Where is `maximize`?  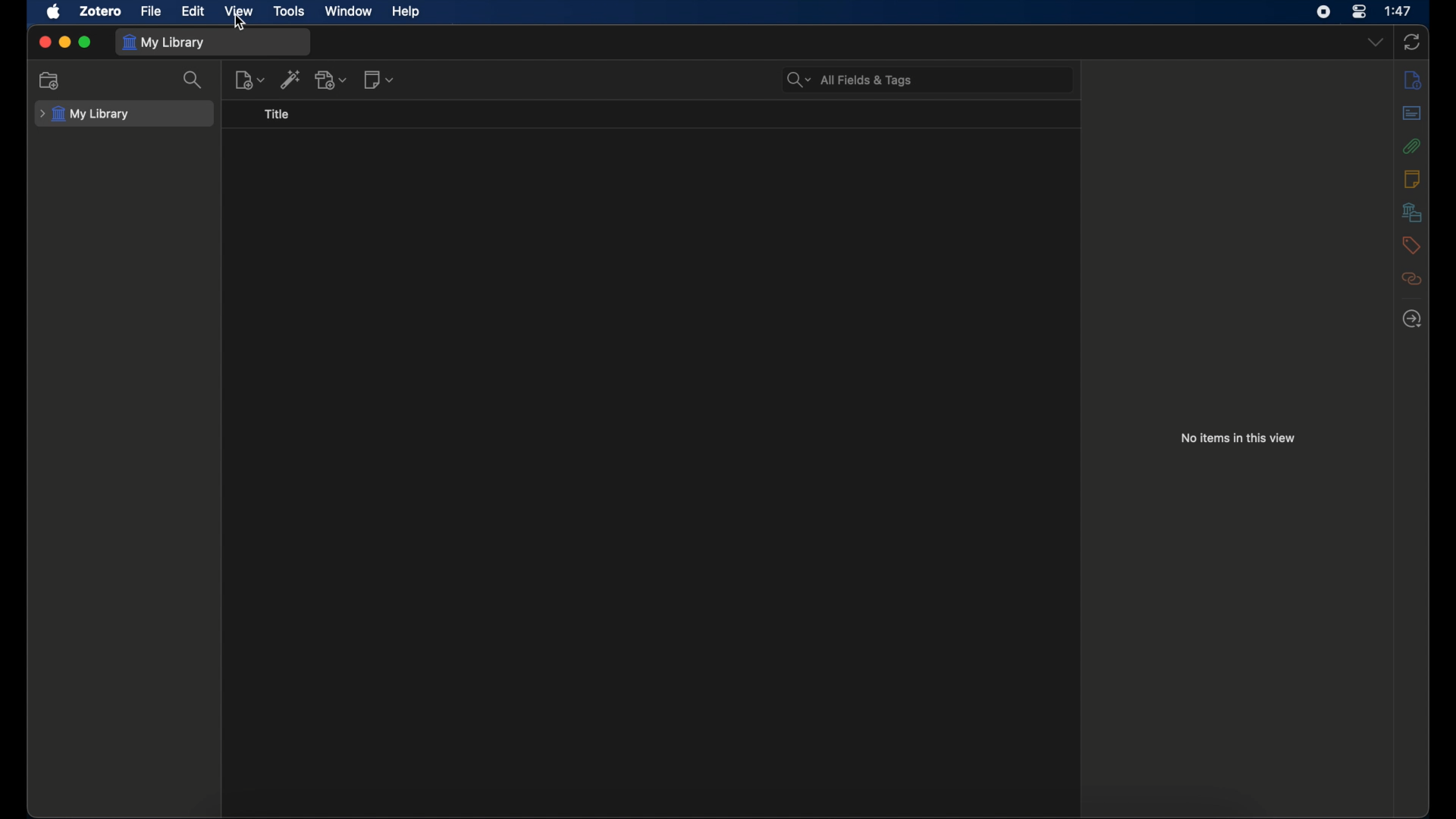
maximize is located at coordinates (86, 42).